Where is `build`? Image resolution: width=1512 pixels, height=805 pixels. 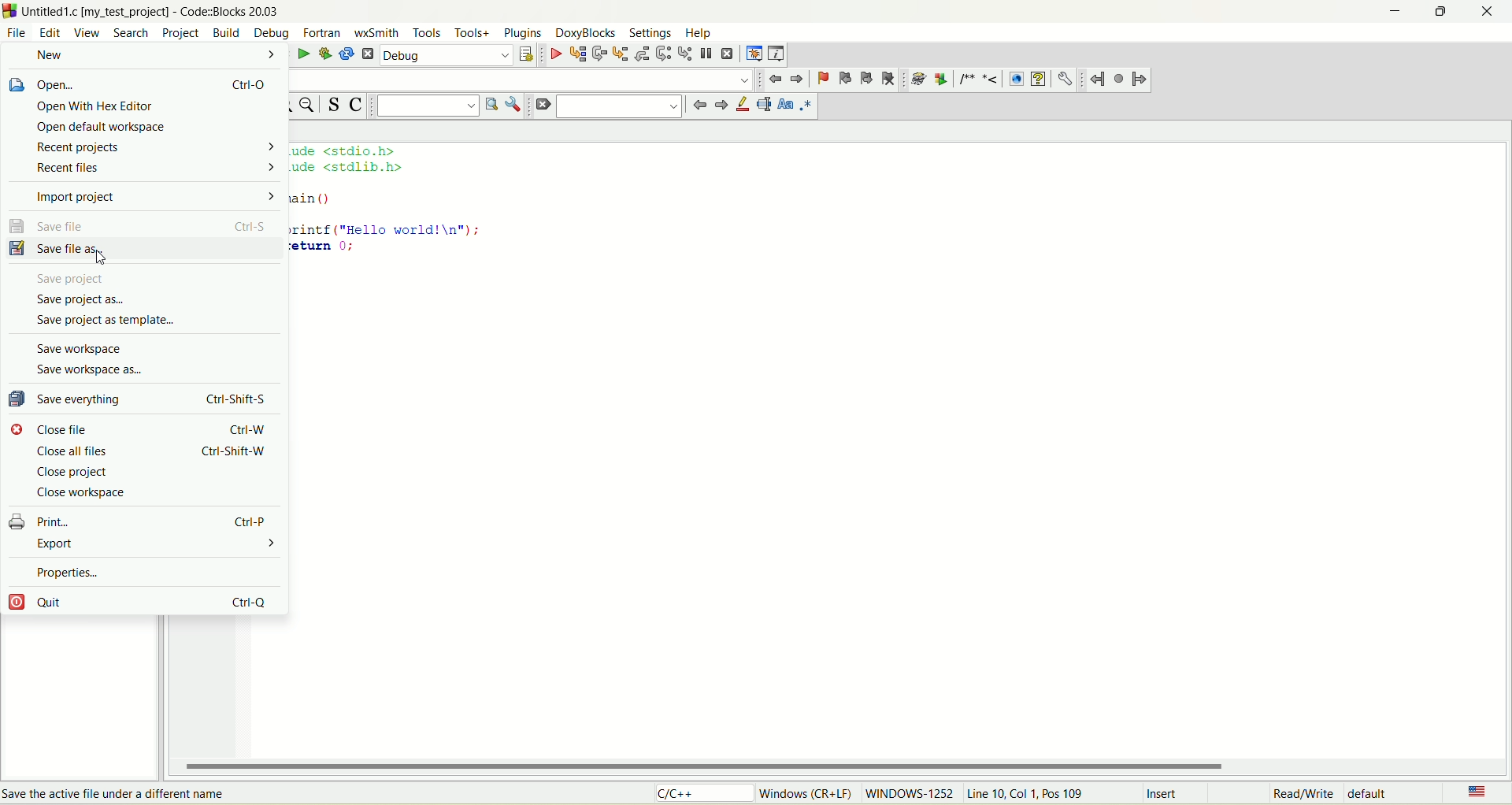
build is located at coordinates (228, 34).